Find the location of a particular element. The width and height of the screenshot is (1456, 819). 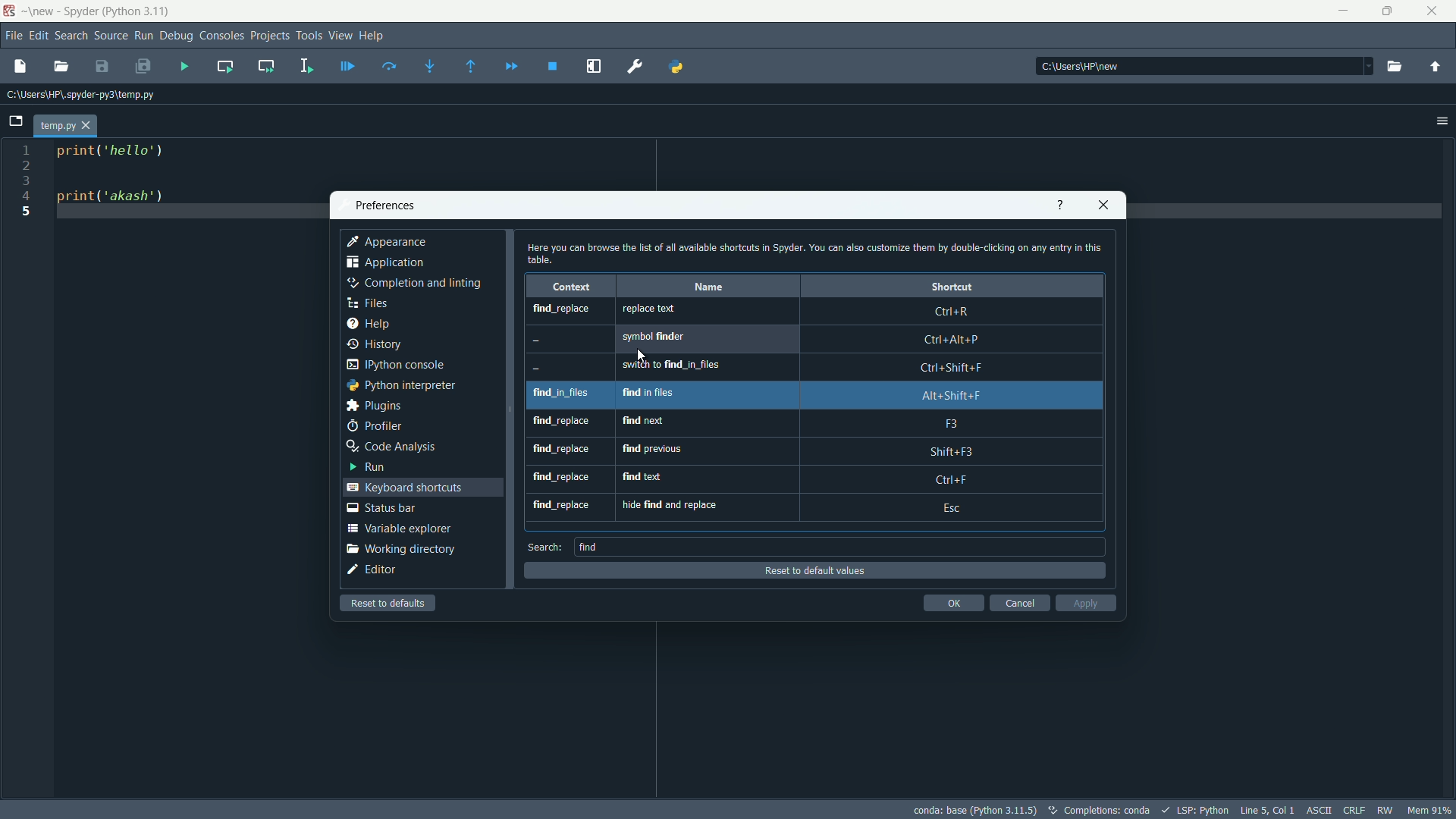

keyboard shortcuts is located at coordinates (405, 488).